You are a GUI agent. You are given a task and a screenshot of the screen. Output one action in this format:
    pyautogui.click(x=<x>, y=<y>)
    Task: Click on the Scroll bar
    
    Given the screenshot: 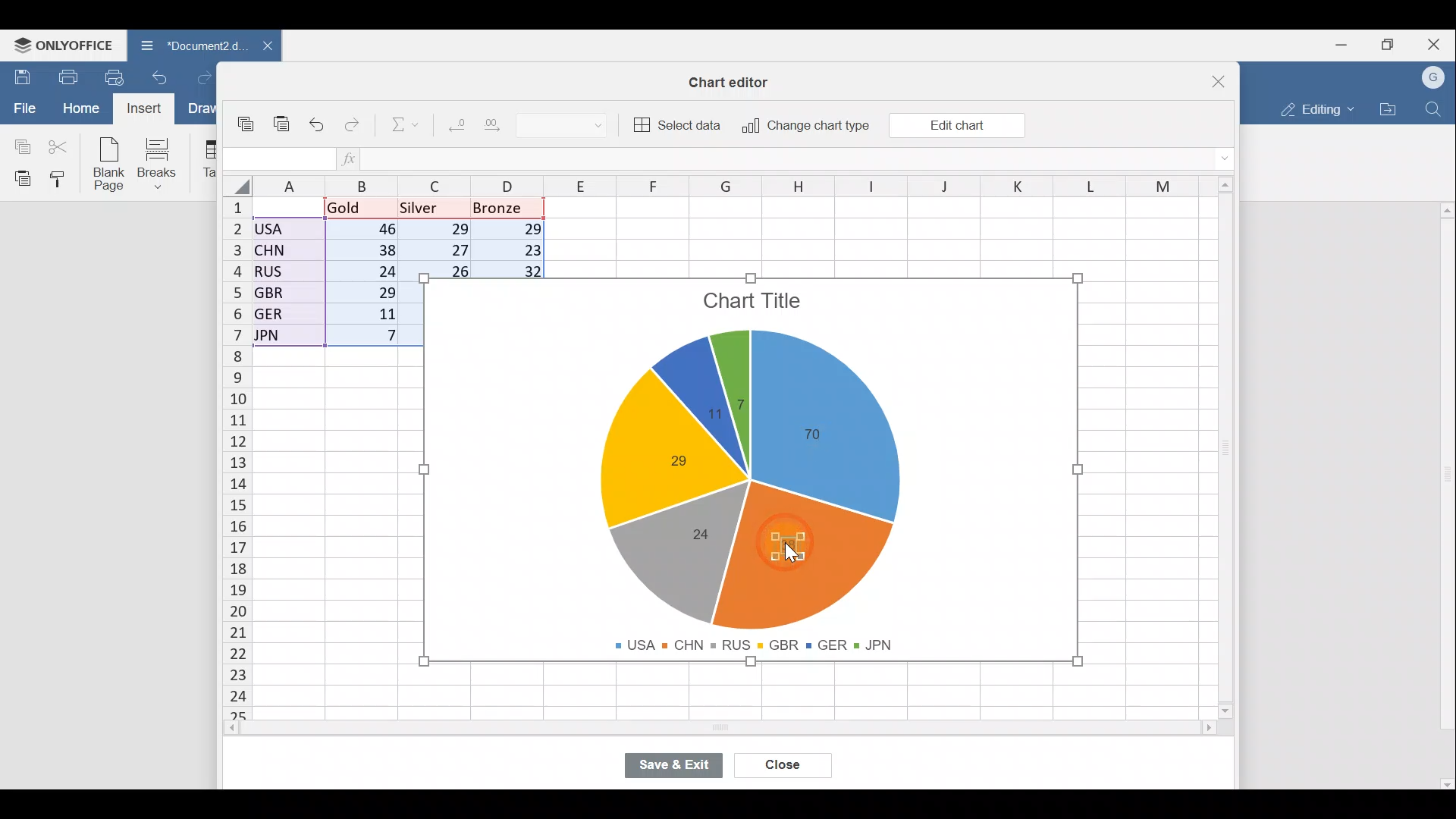 What is the action you would take?
    pyautogui.click(x=1232, y=452)
    